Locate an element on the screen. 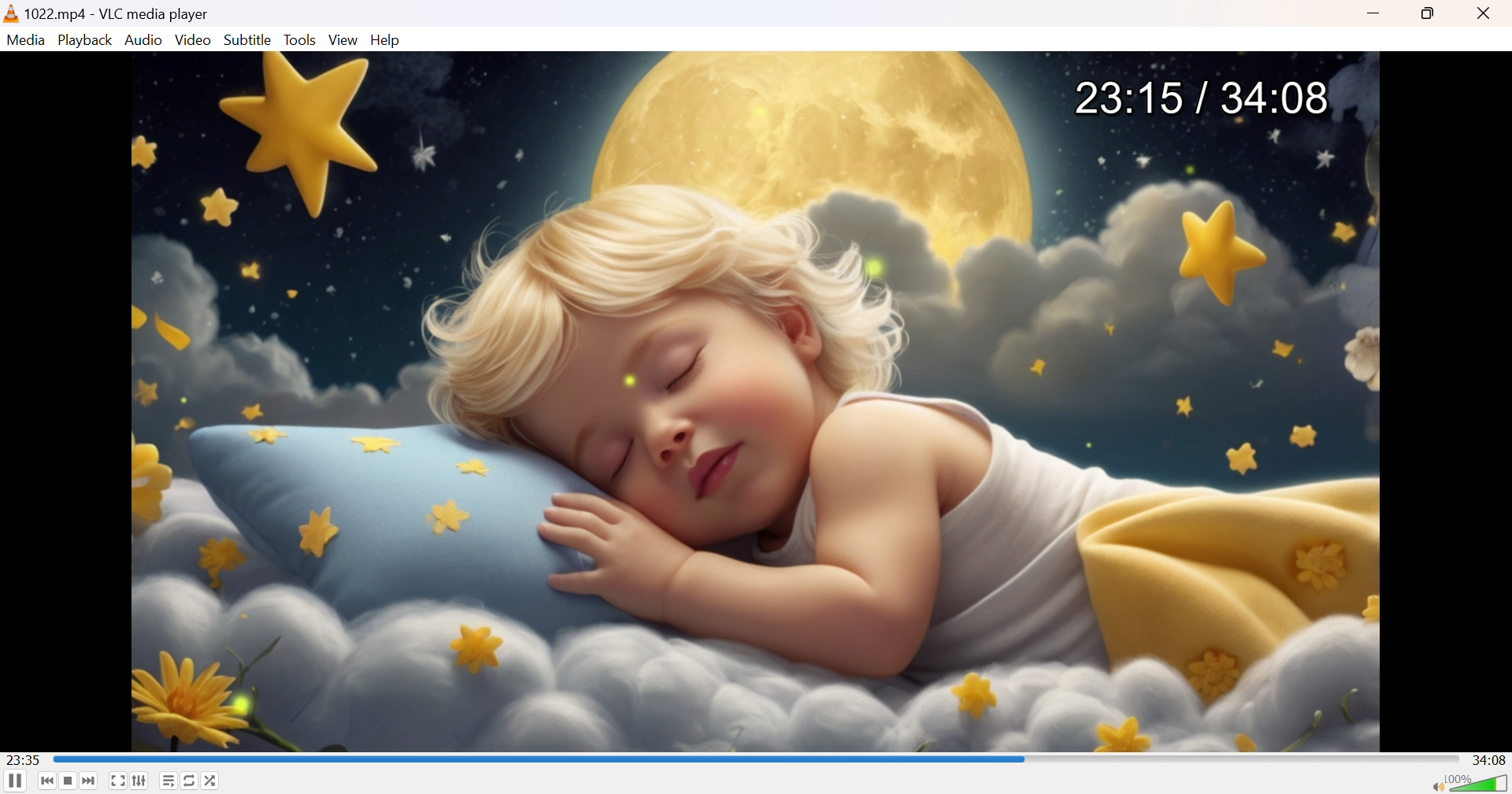 Image resolution: width=1512 pixels, height=794 pixels. 23:55 is located at coordinates (24, 759).